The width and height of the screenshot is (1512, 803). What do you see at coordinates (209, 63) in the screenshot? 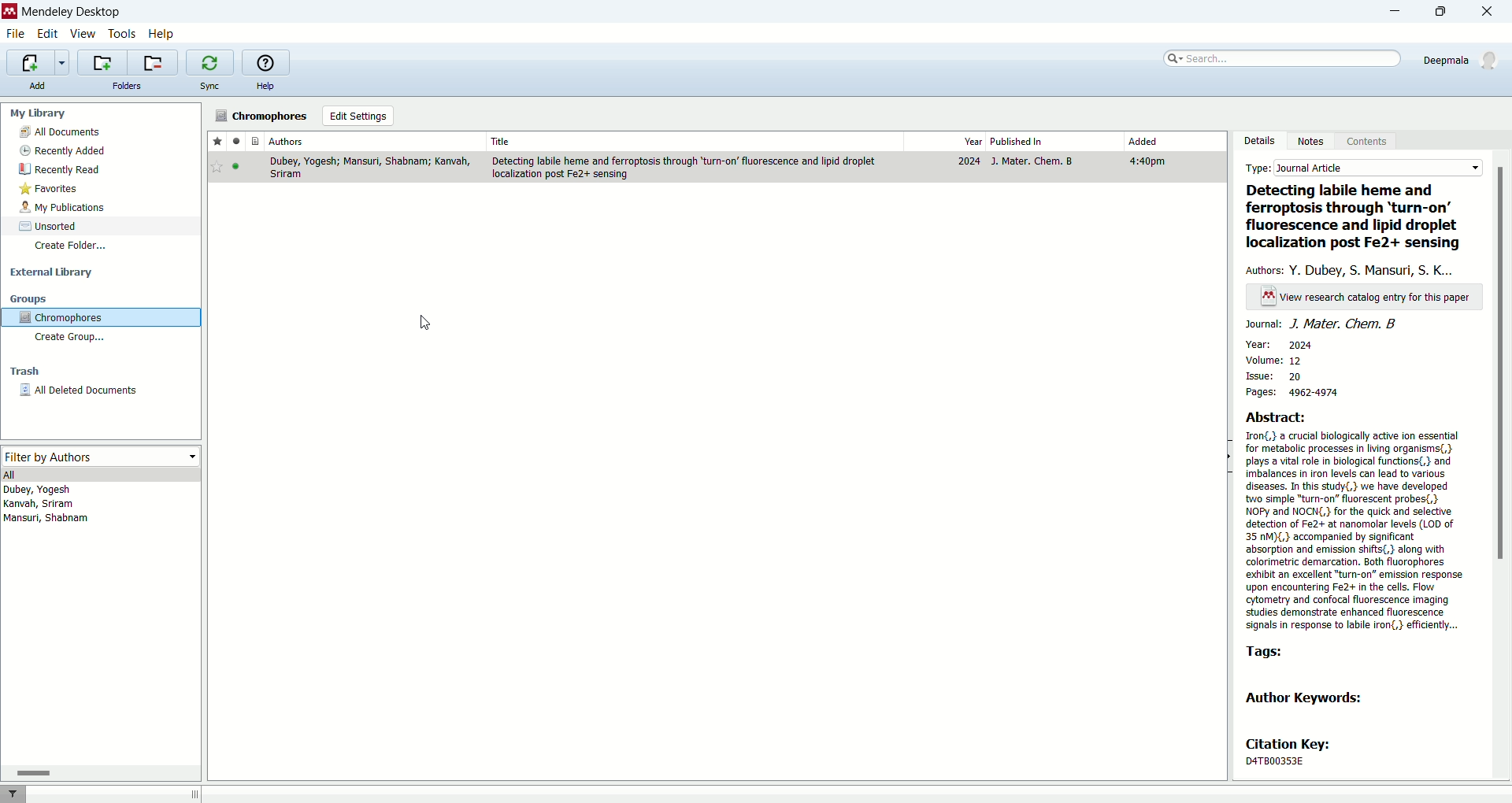
I see `synchronize library with mendeley web` at bounding box center [209, 63].